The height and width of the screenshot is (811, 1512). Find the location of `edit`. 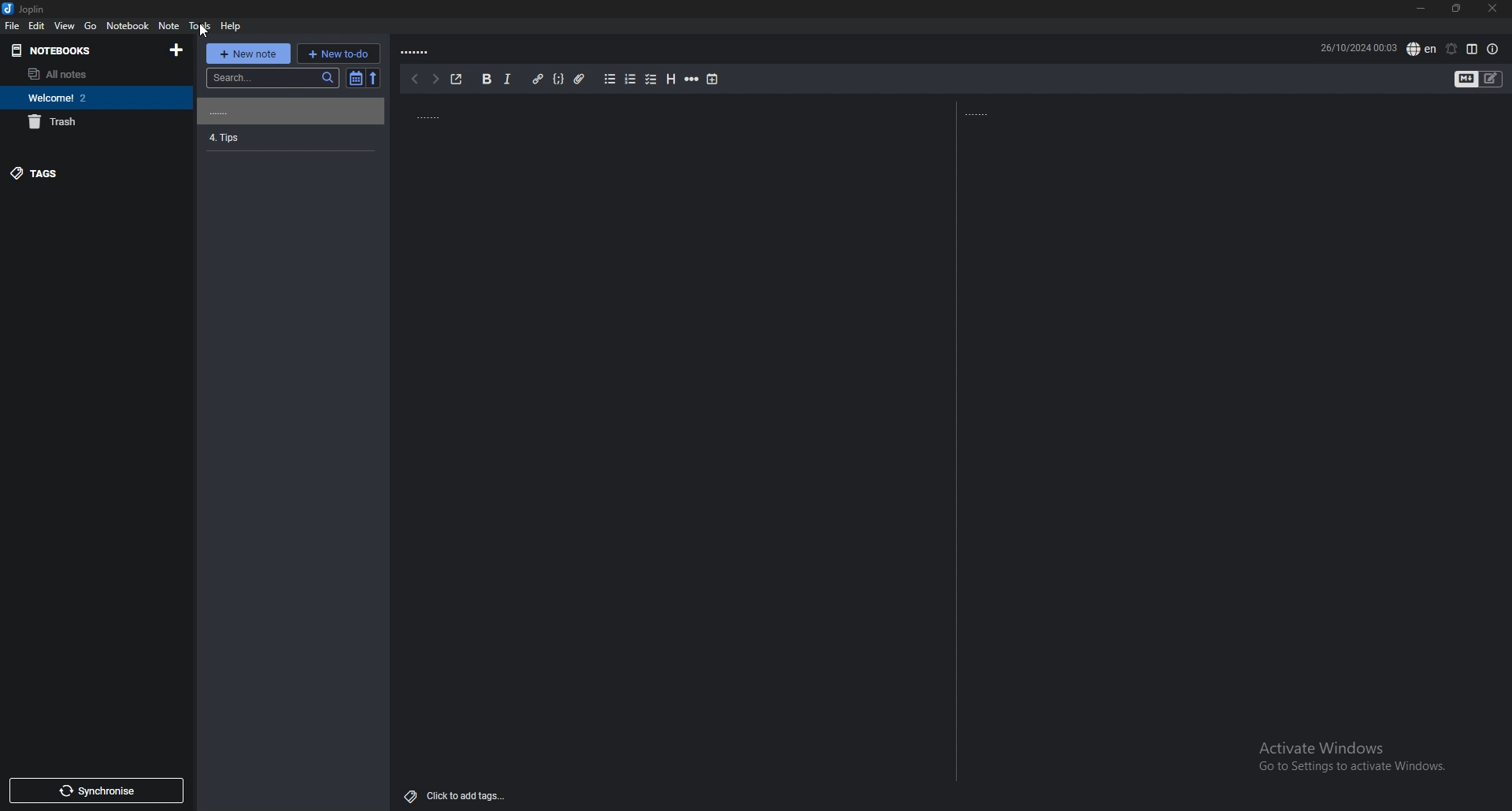

edit is located at coordinates (36, 25).